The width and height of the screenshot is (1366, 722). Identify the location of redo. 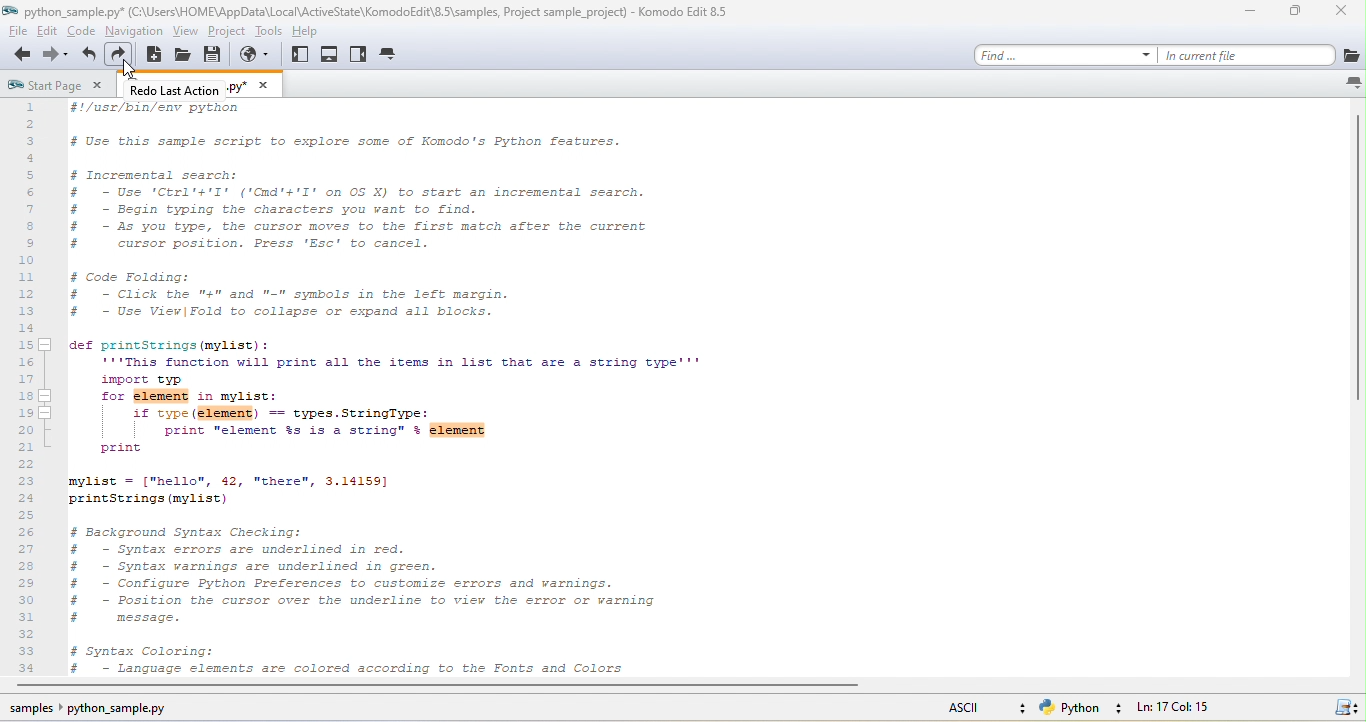
(120, 55).